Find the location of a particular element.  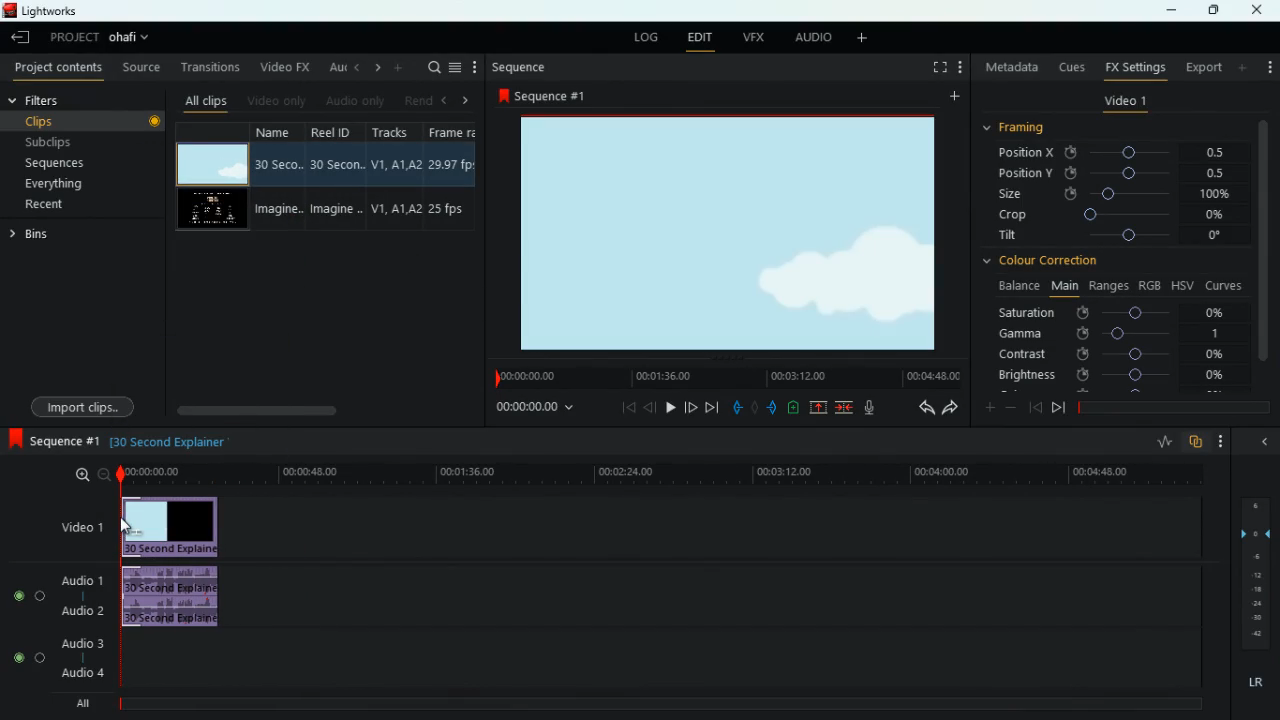

settings is located at coordinates (1268, 65).